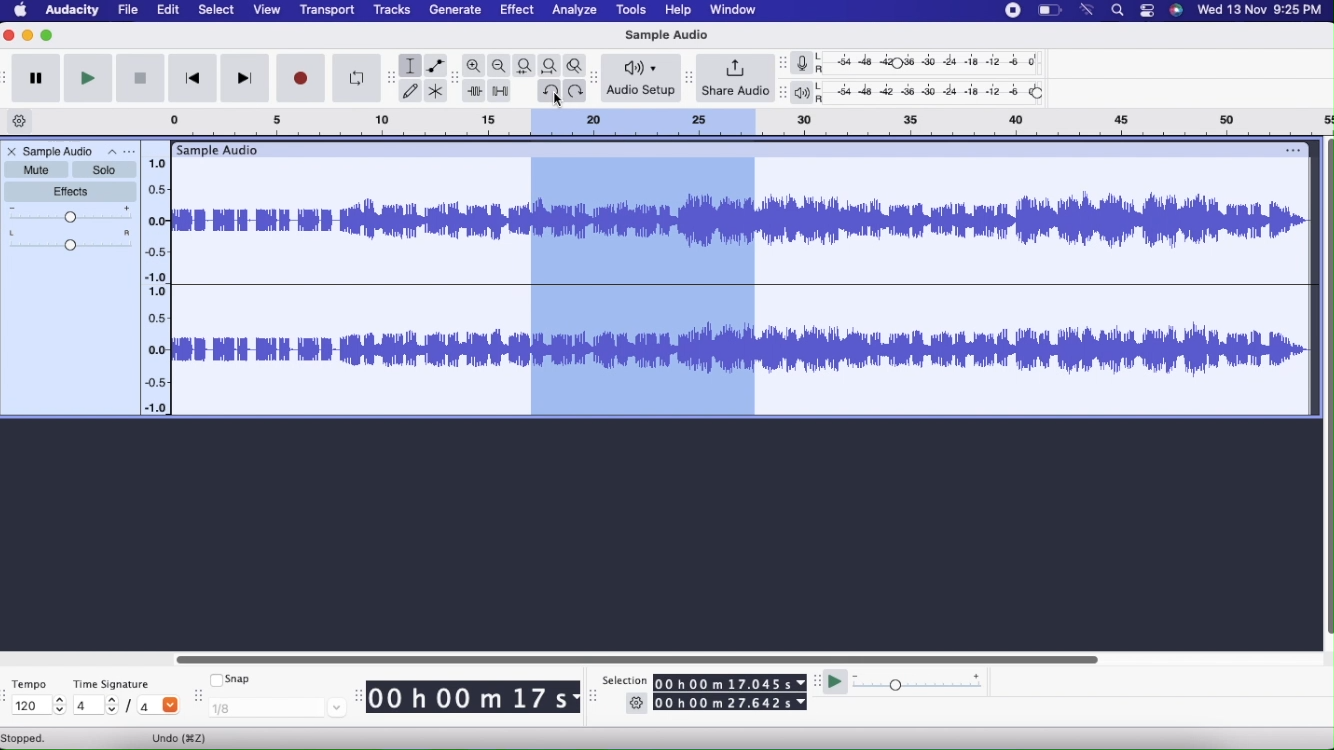 Image resolution: width=1334 pixels, height=750 pixels. Describe the element at coordinates (1013, 11) in the screenshot. I see `Menu` at that location.